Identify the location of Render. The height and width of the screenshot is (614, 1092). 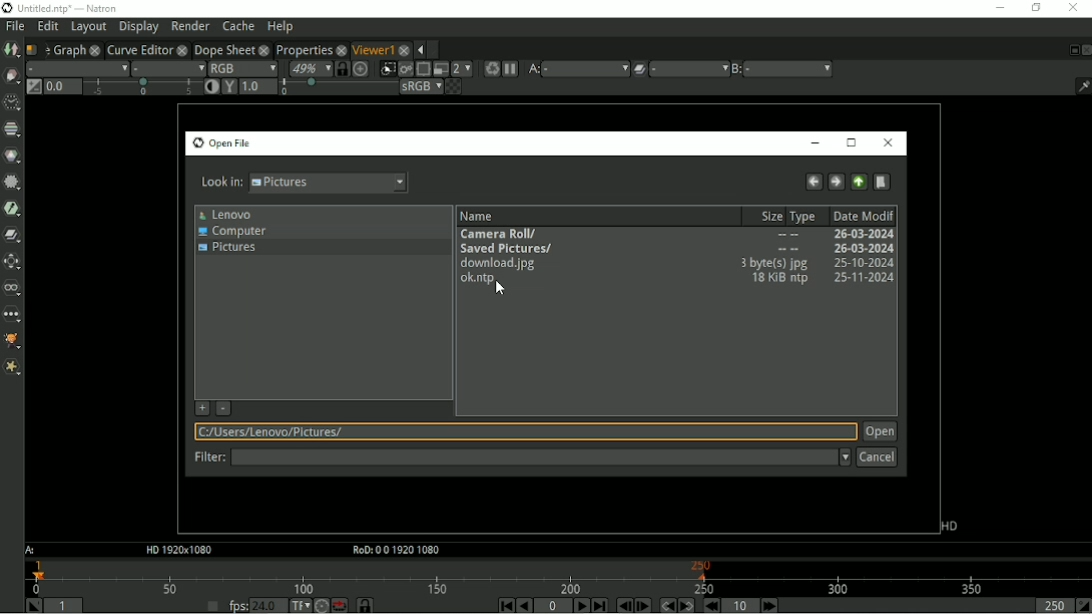
(190, 25).